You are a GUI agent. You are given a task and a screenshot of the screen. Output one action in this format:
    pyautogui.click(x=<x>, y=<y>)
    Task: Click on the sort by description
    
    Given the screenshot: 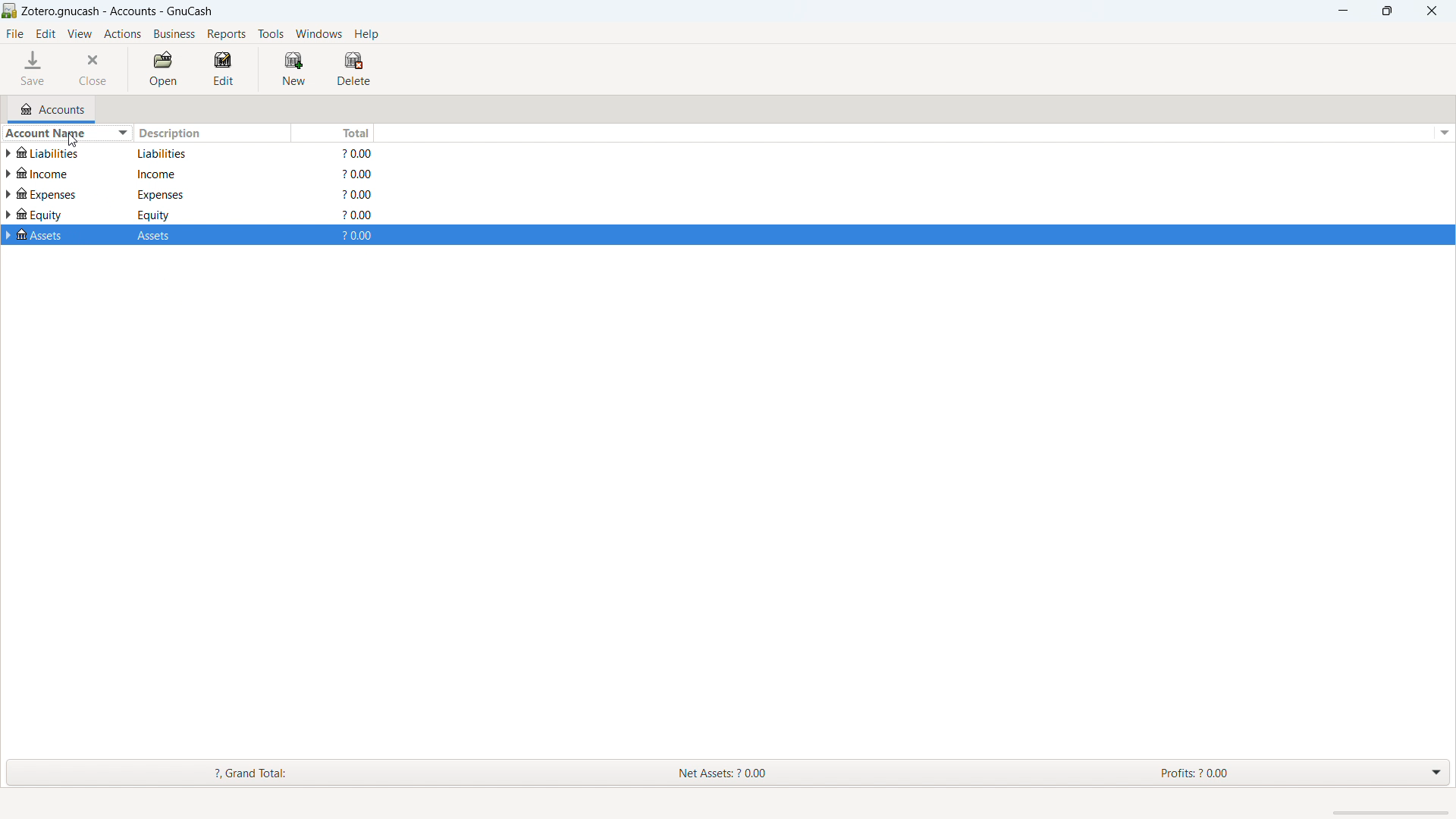 What is the action you would take?
    pyautogui.click(x=211, y=133)
    